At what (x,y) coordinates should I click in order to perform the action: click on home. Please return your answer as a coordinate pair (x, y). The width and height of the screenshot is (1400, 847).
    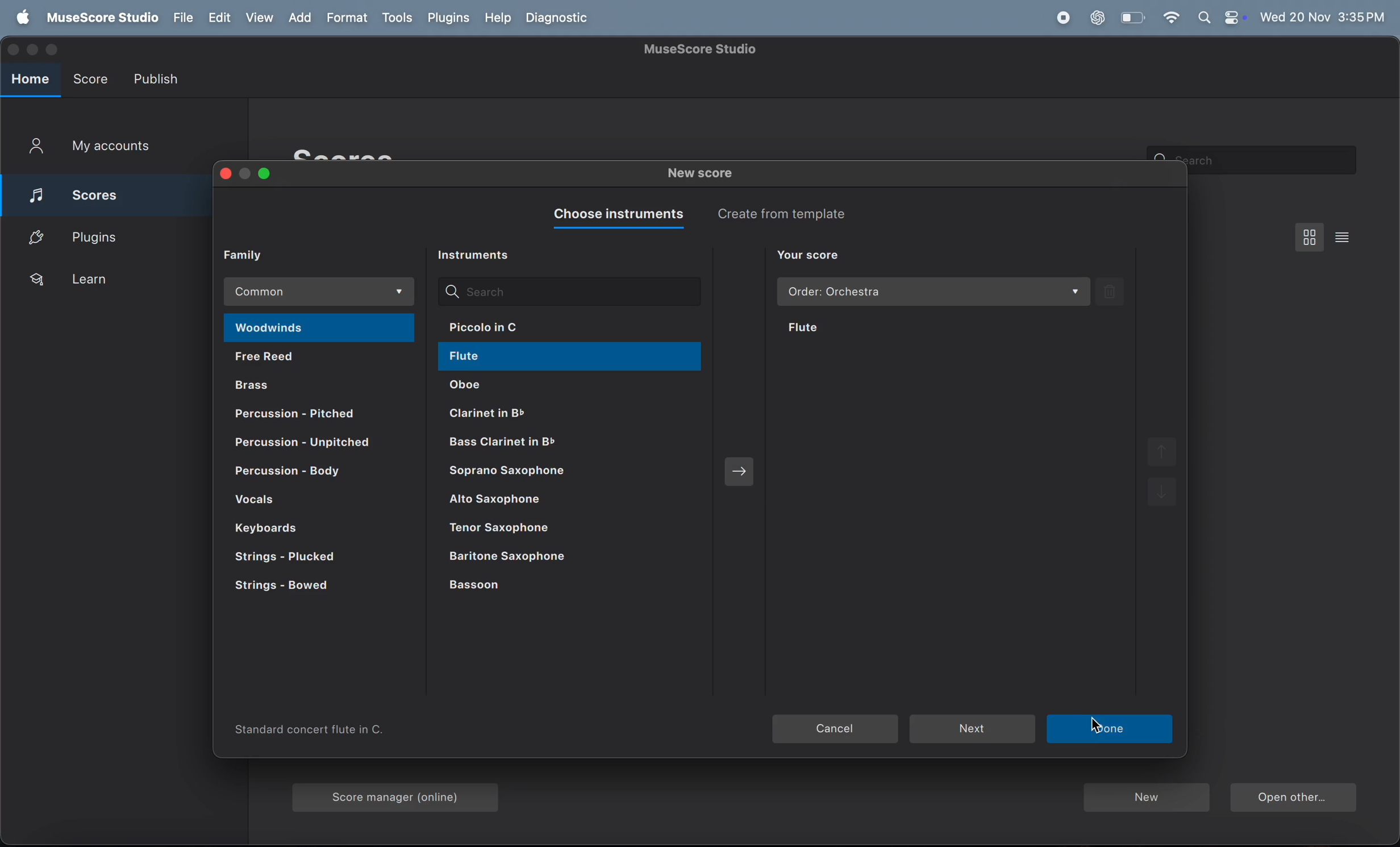
    Looking at the image, I should click on (31, 80).